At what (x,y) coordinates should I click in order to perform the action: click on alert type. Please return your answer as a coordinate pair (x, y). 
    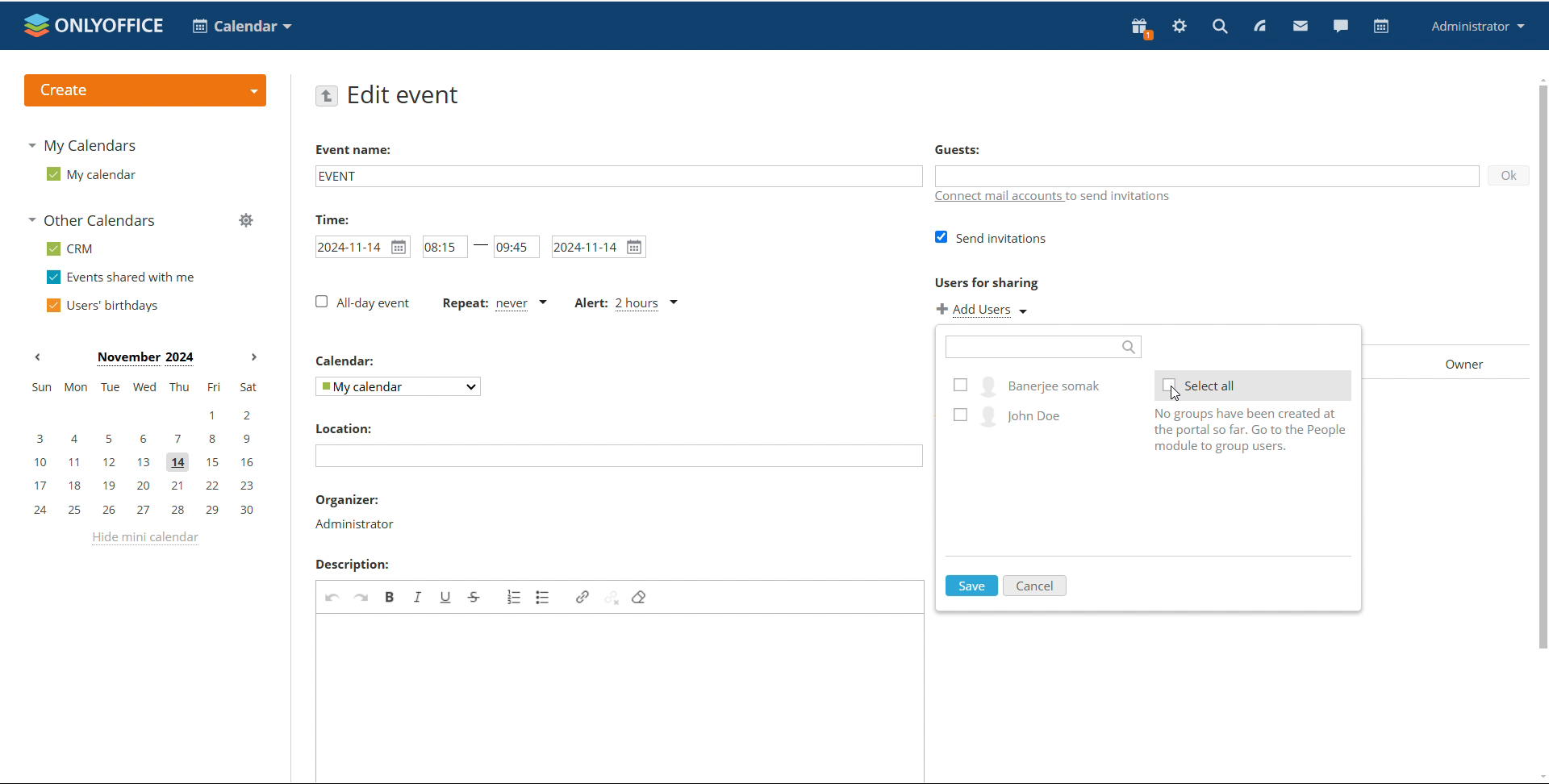
    Looking at the image, I should click on (628, 303).